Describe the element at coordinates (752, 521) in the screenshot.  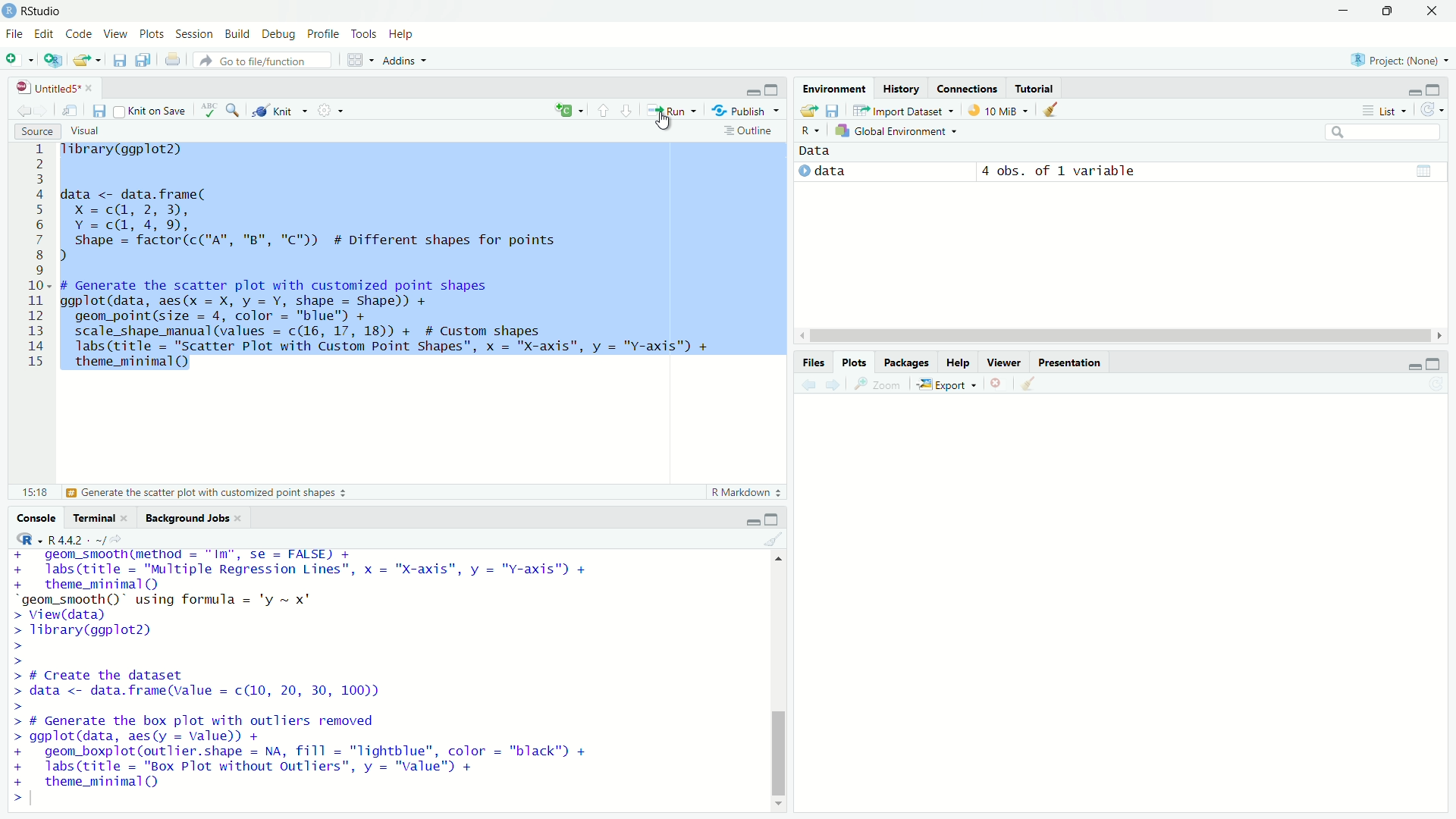
I see `minimize` at that location.